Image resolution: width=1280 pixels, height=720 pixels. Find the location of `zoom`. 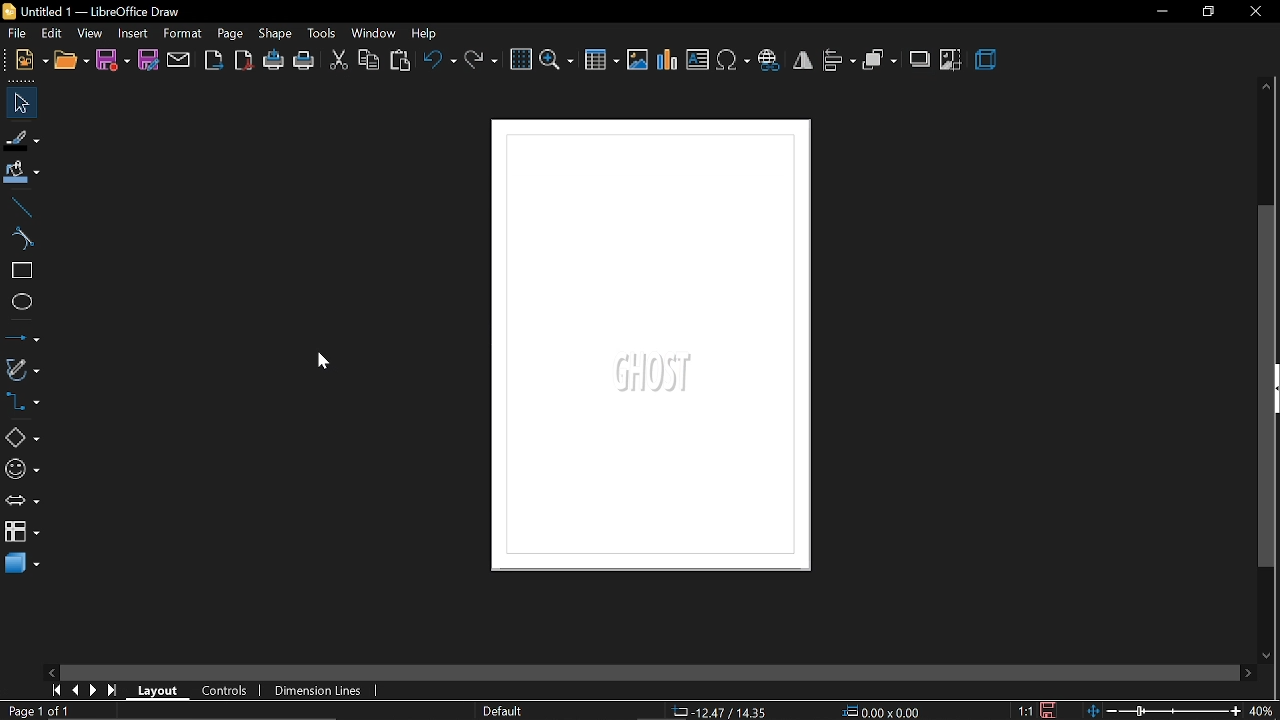

zoom is located at coordinates (557, 61).